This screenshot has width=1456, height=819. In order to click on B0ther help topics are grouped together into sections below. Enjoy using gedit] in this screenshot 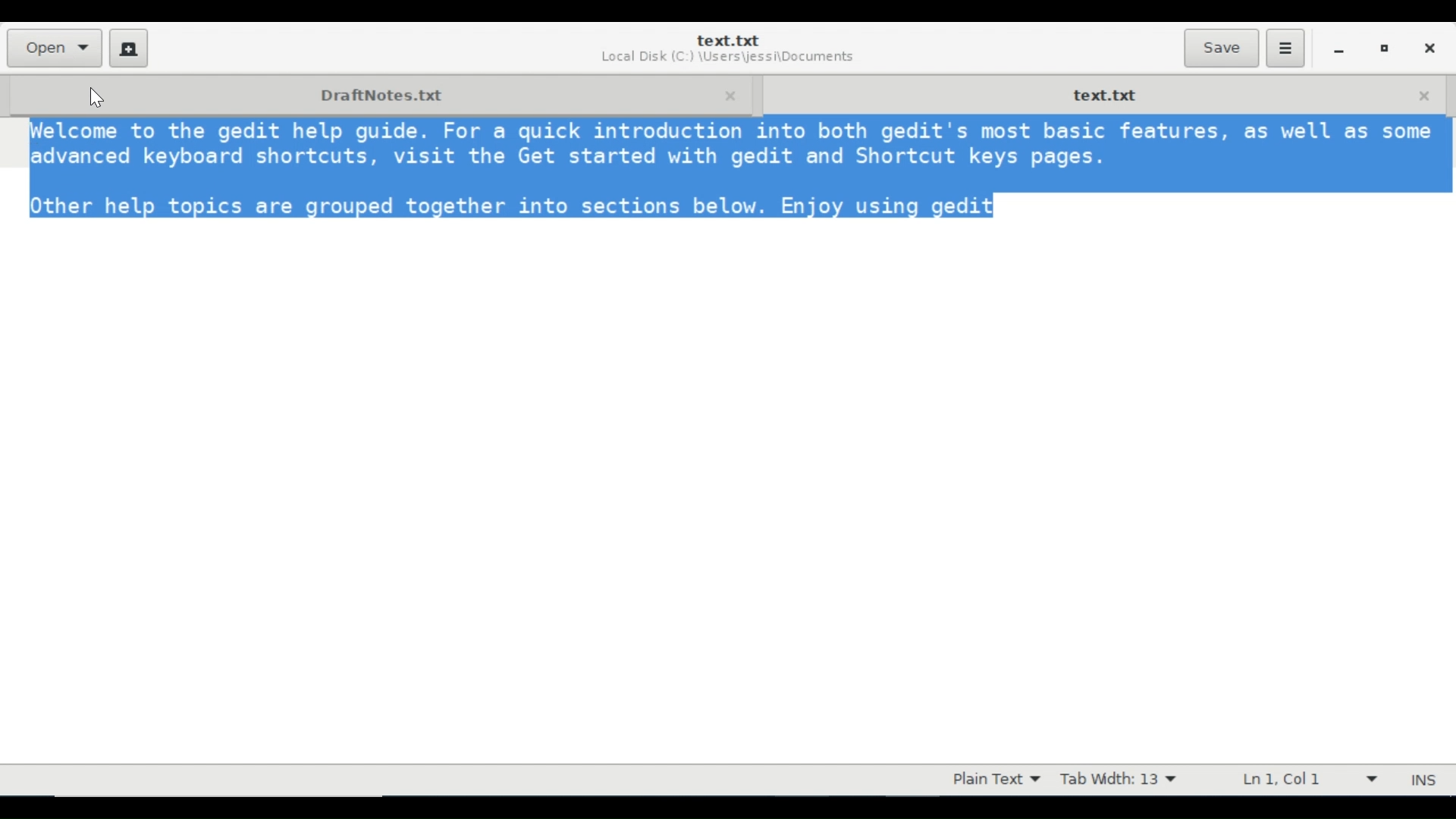, I will do `click(508, 208)`.